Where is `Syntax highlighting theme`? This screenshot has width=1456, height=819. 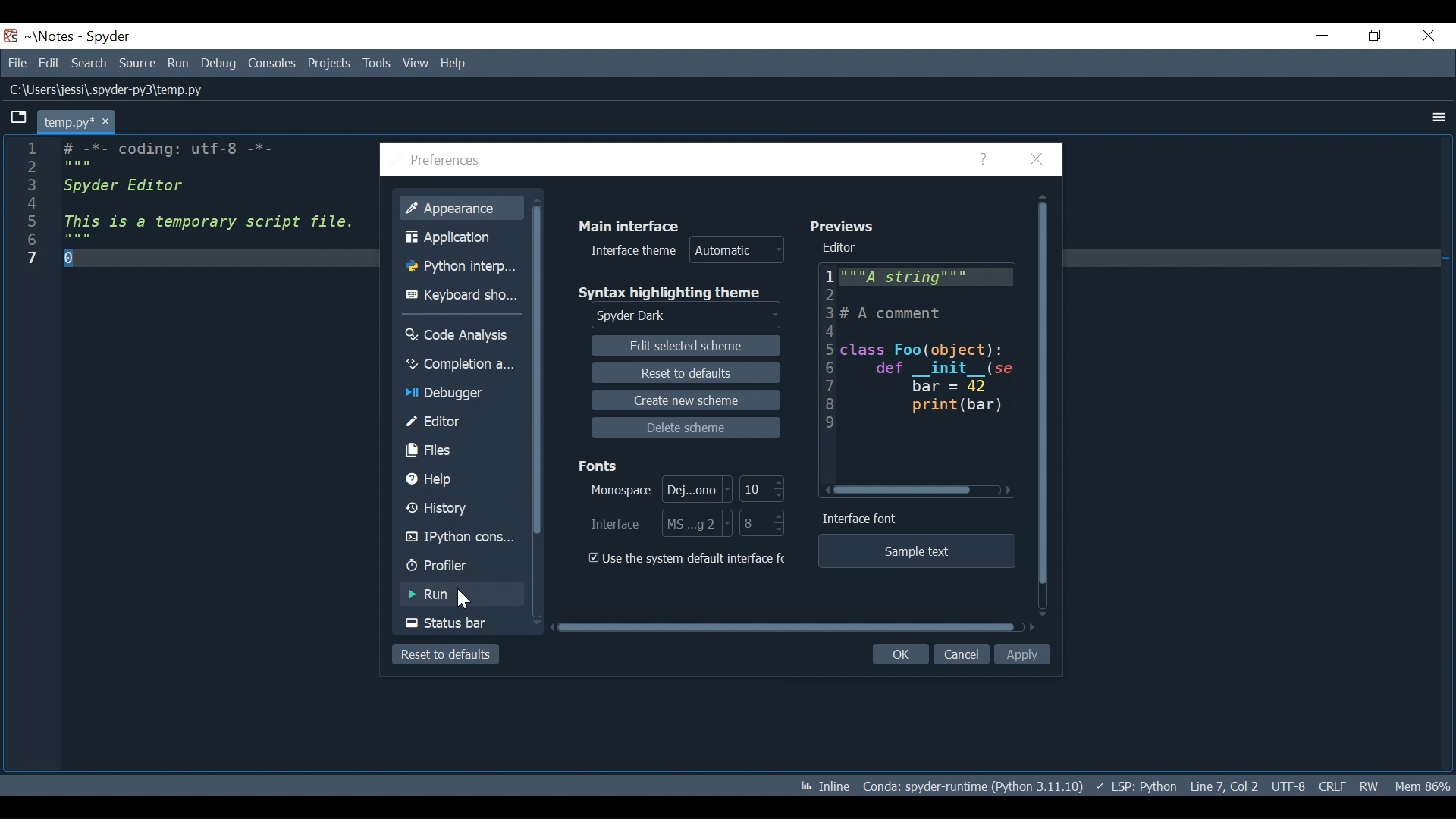 Syntax highlighting theme is located at coordinates (675, 293).